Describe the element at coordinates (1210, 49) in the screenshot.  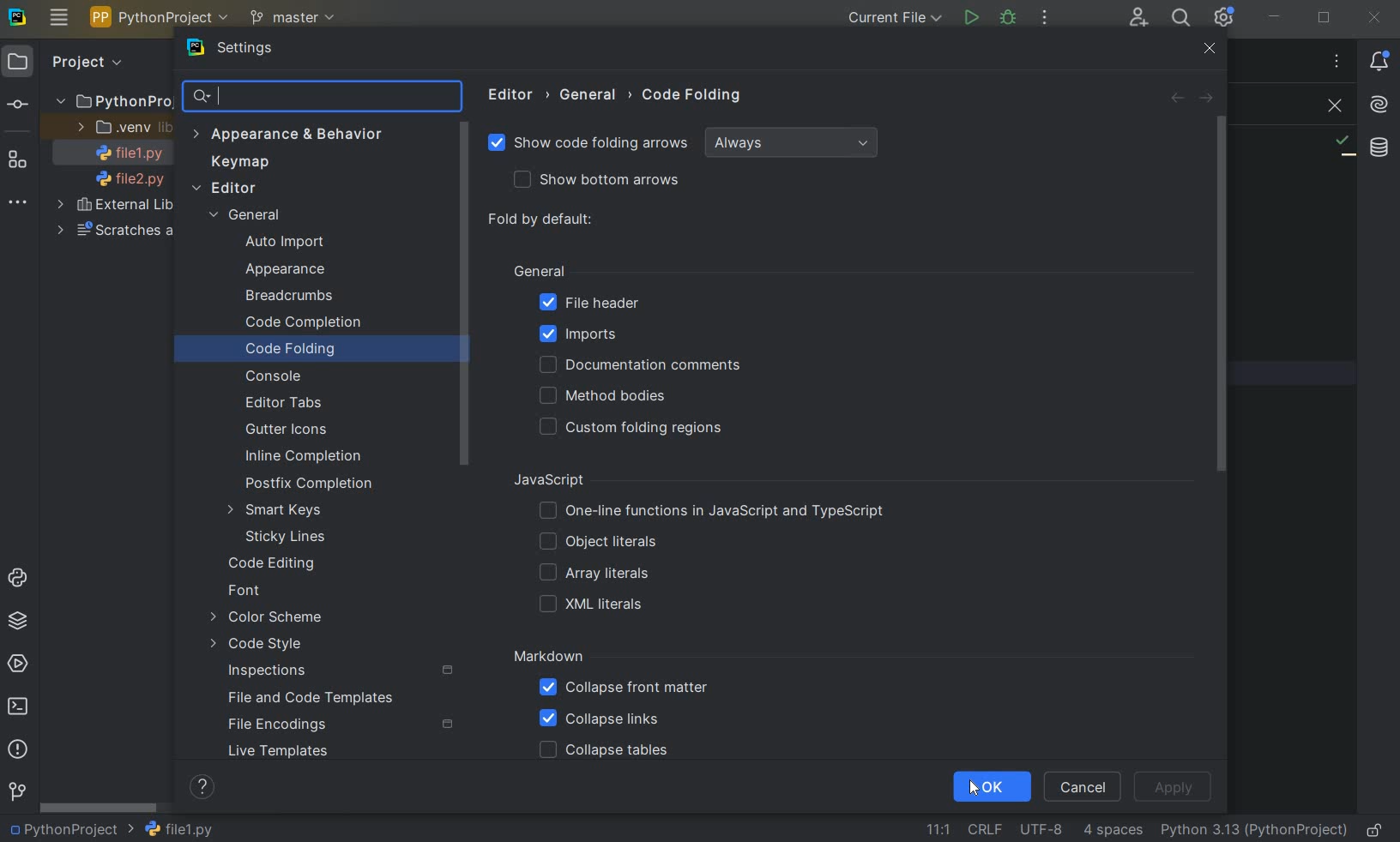
I see `CLOSE` at that location.